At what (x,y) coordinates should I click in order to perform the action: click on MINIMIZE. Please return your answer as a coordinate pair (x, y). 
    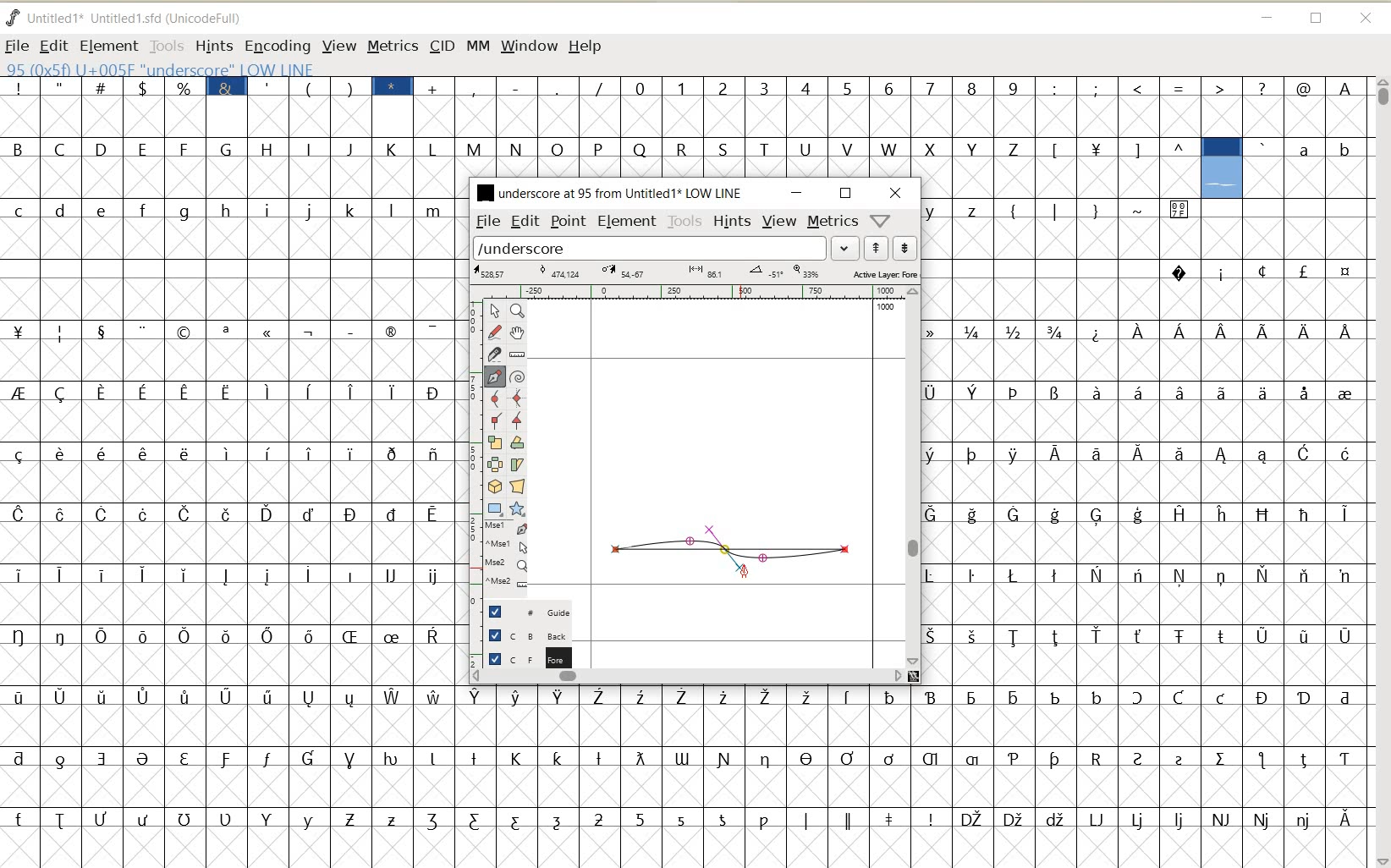
    Looking at the image, I should click on (1266, 15).